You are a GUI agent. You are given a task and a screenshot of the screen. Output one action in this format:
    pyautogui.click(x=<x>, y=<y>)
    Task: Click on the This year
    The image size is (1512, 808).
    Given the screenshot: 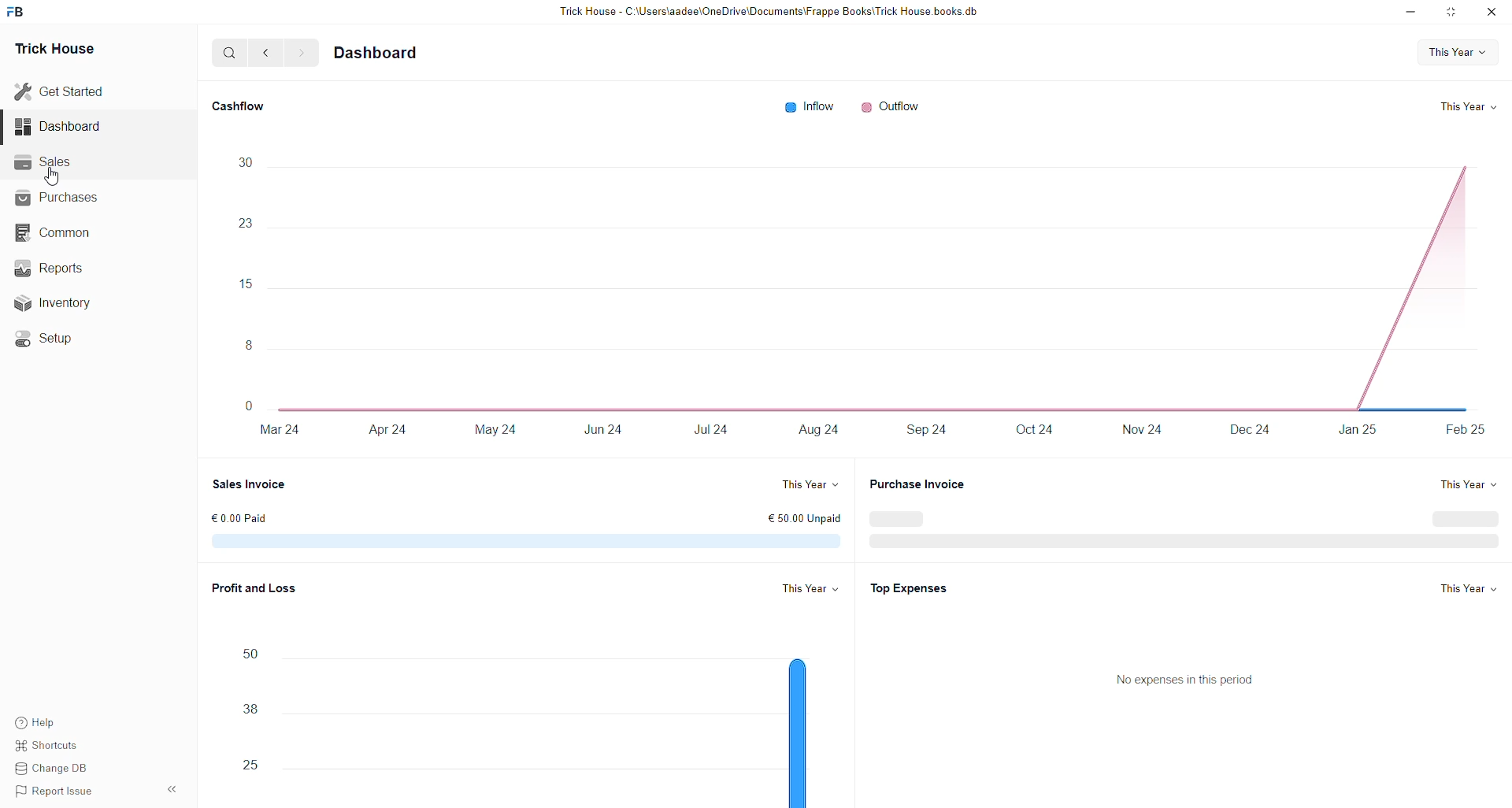 What is the action you would take?
    pyautogui.click(x=1460, y=594)
    